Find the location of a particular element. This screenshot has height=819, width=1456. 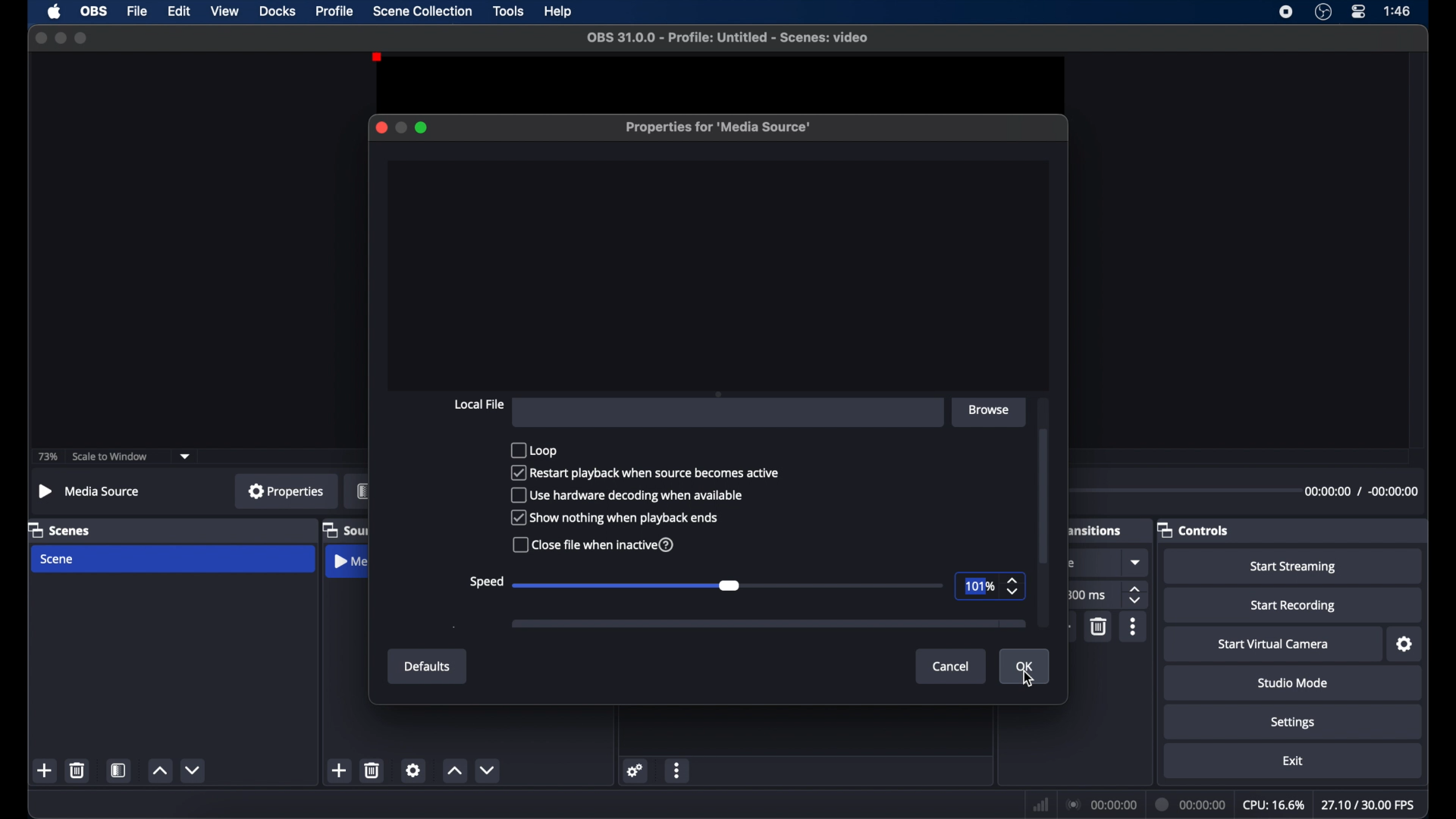

decrement is located at coordinates (488, 770).